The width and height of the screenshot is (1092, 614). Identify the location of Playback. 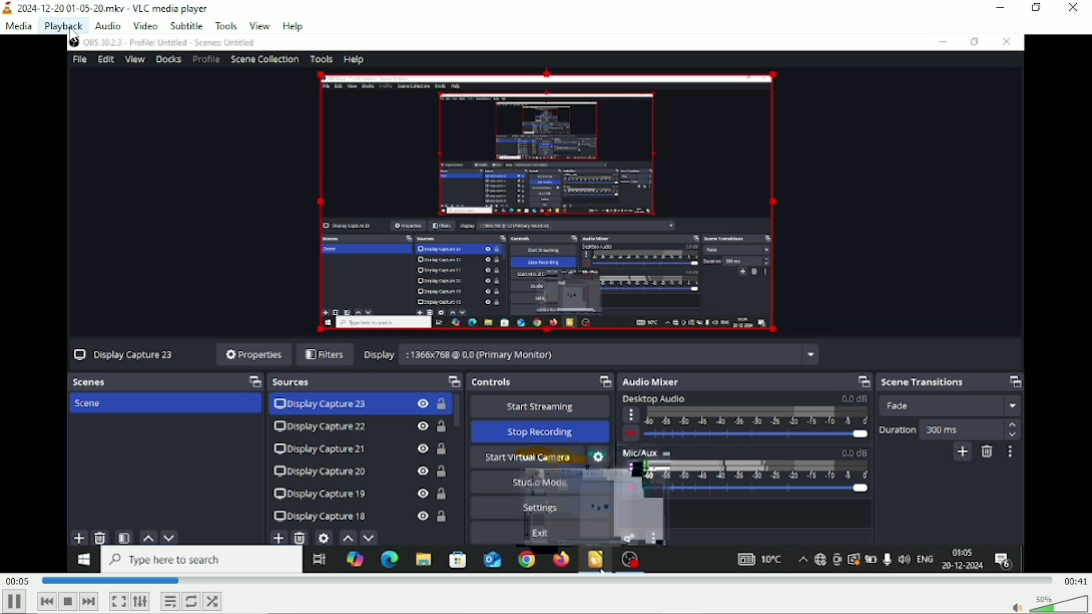
(63, 26).